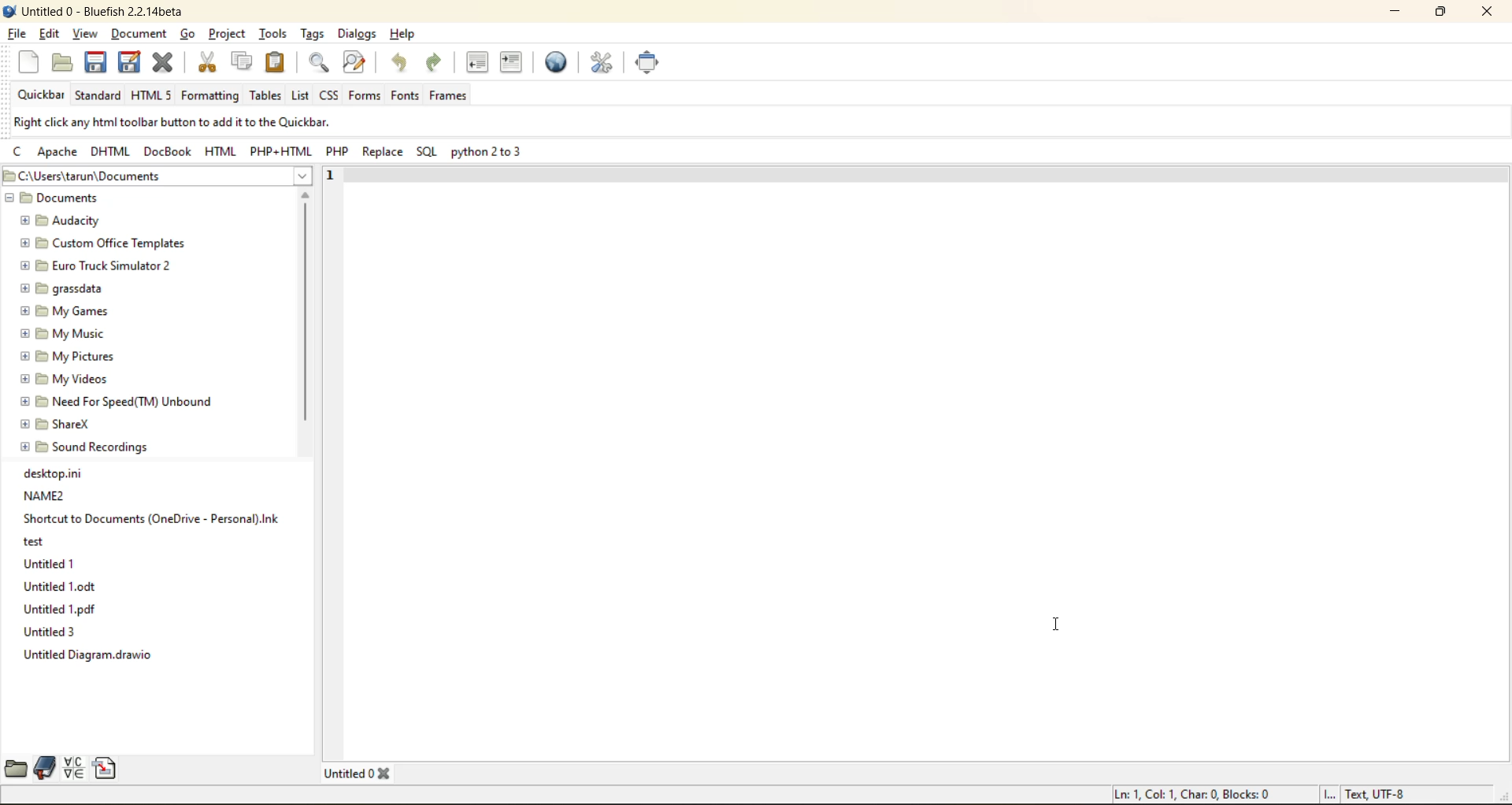  I want to click on frames, so click(449, 97).